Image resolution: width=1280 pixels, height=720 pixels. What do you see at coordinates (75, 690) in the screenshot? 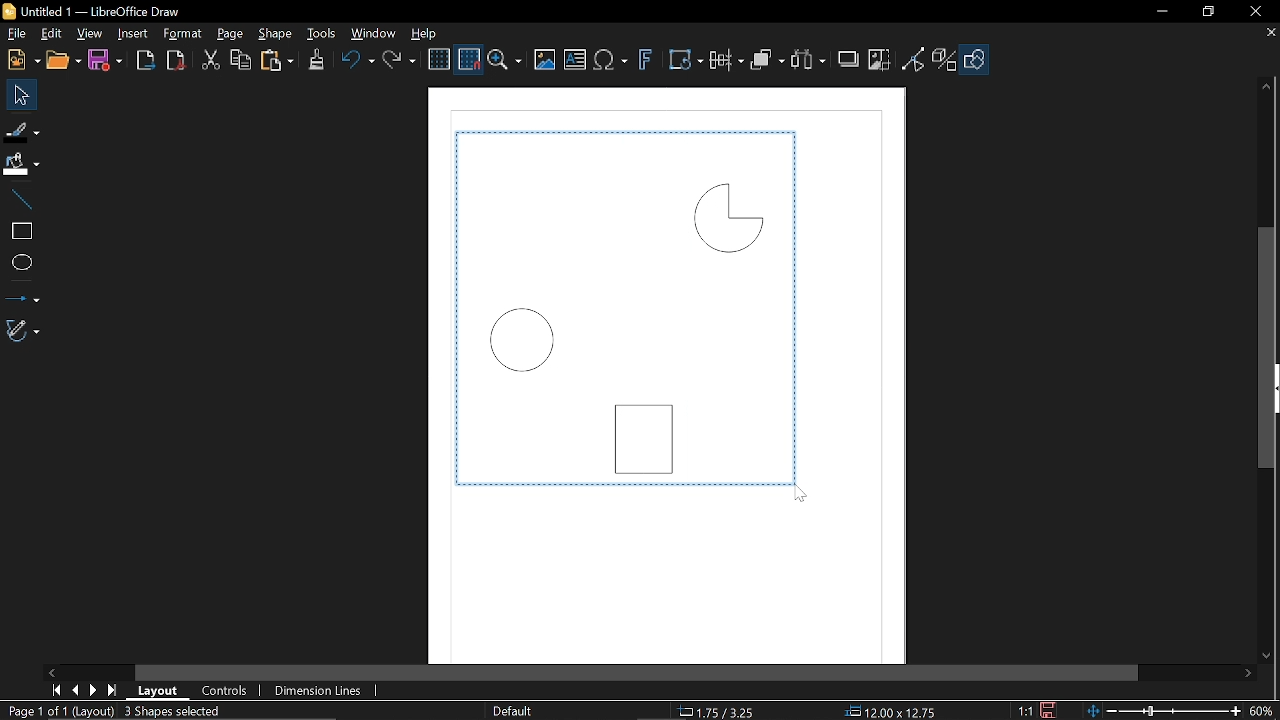
I see `Previous page` at bounding box center [75, 690].